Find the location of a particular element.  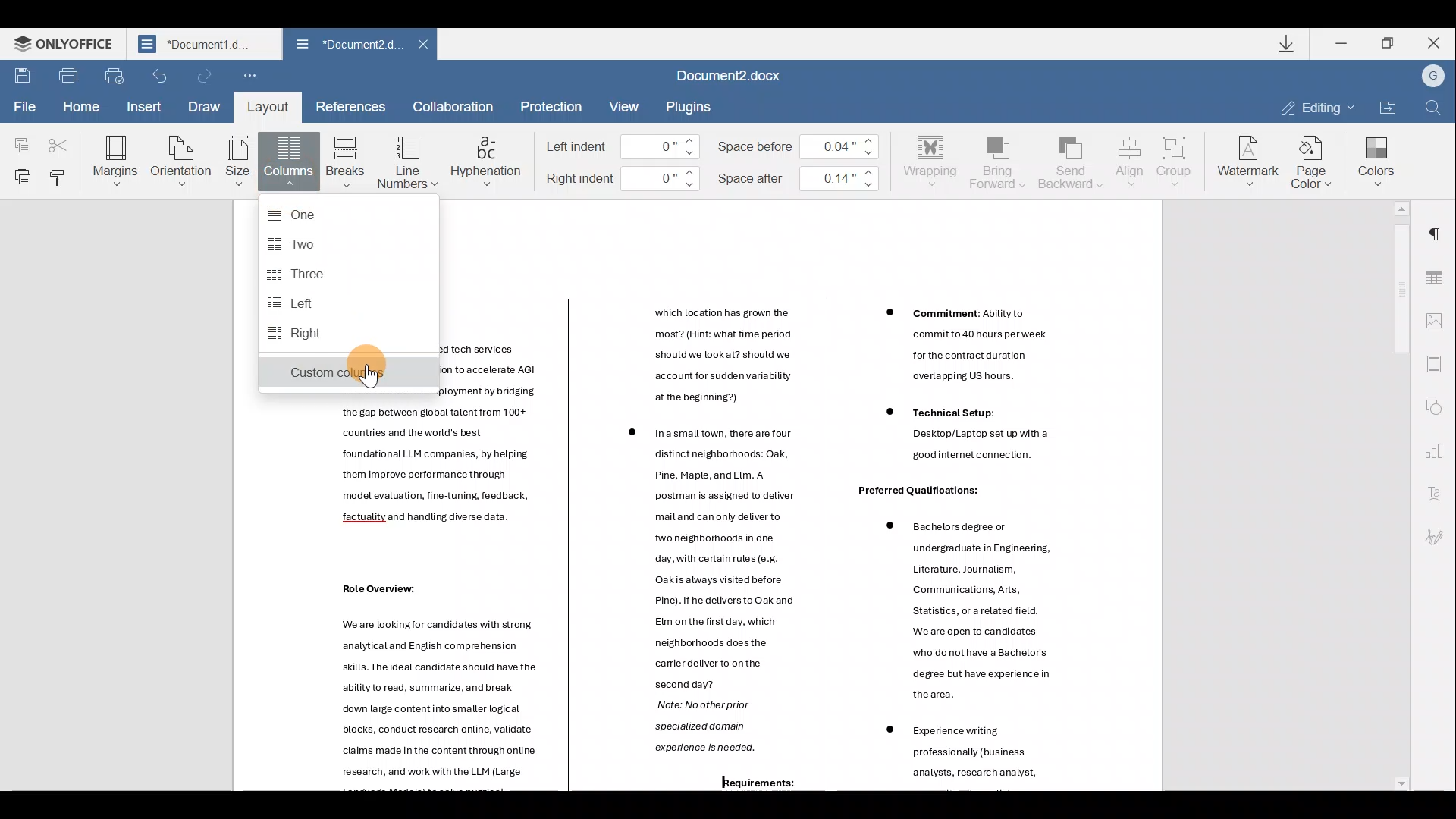

Header & footer settings is located at coordinates (1438, 368).